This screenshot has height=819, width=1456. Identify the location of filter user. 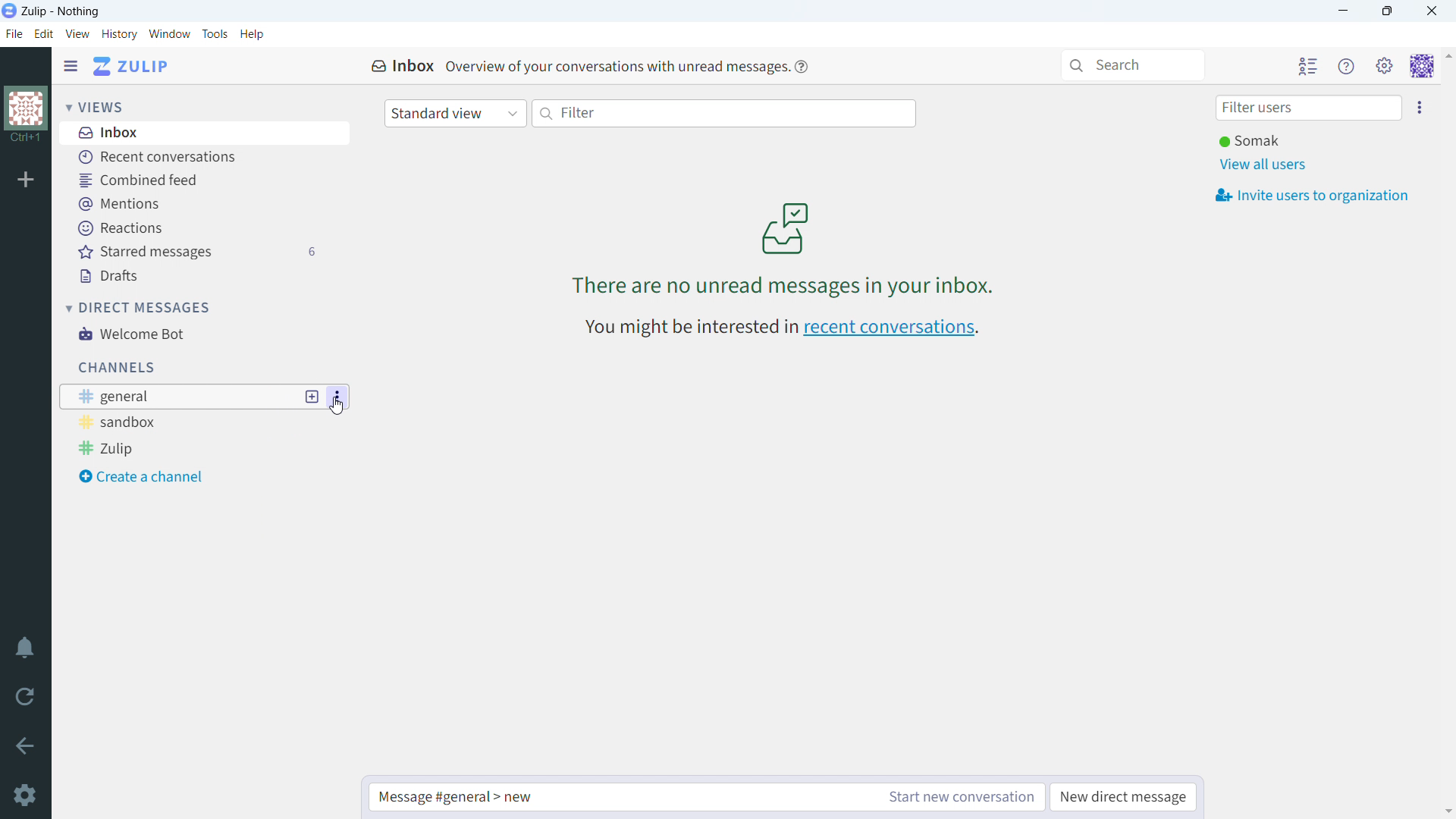
(1308, 108).